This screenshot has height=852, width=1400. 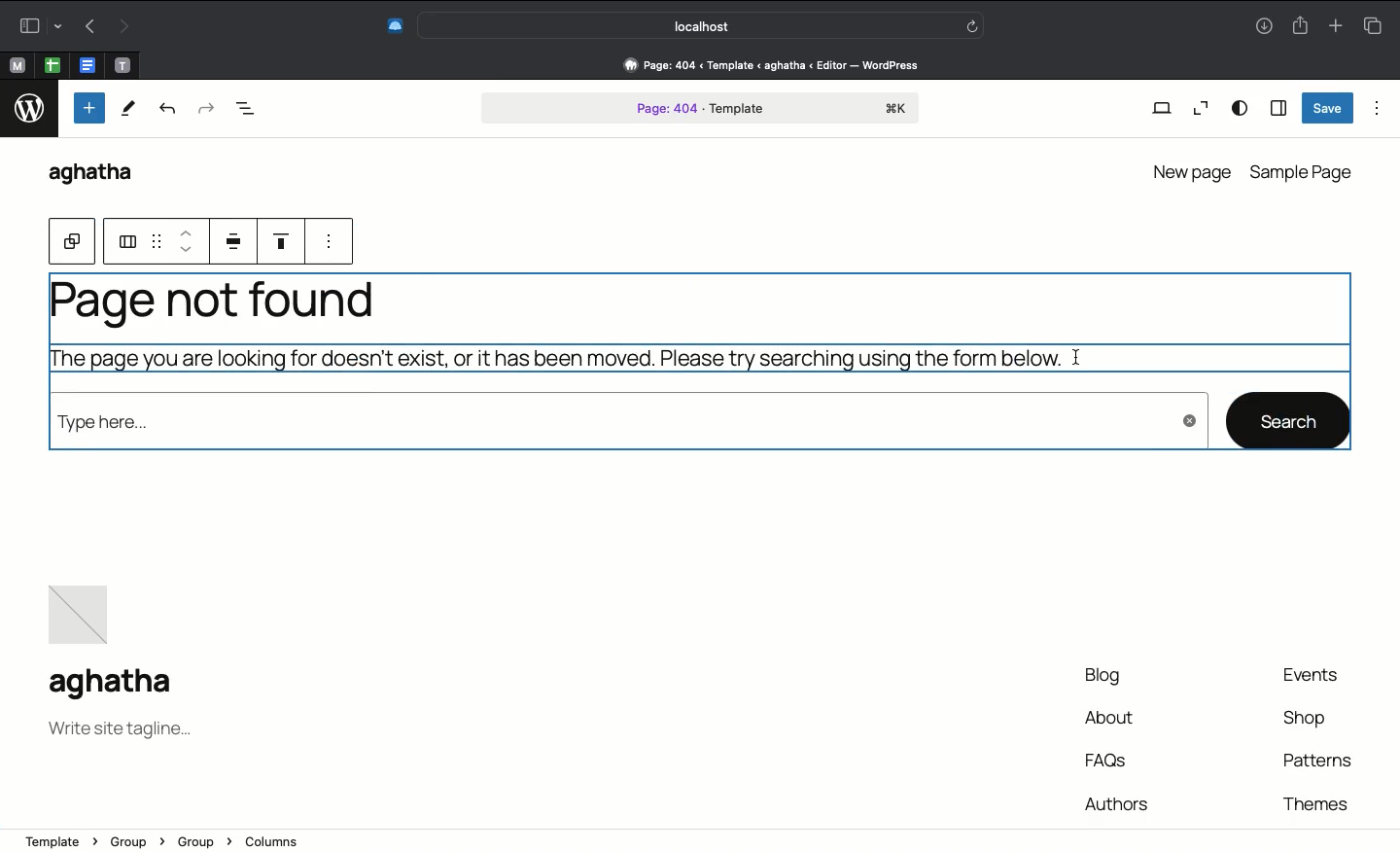 I want to click on Blog, so click(x=1097, y=677).